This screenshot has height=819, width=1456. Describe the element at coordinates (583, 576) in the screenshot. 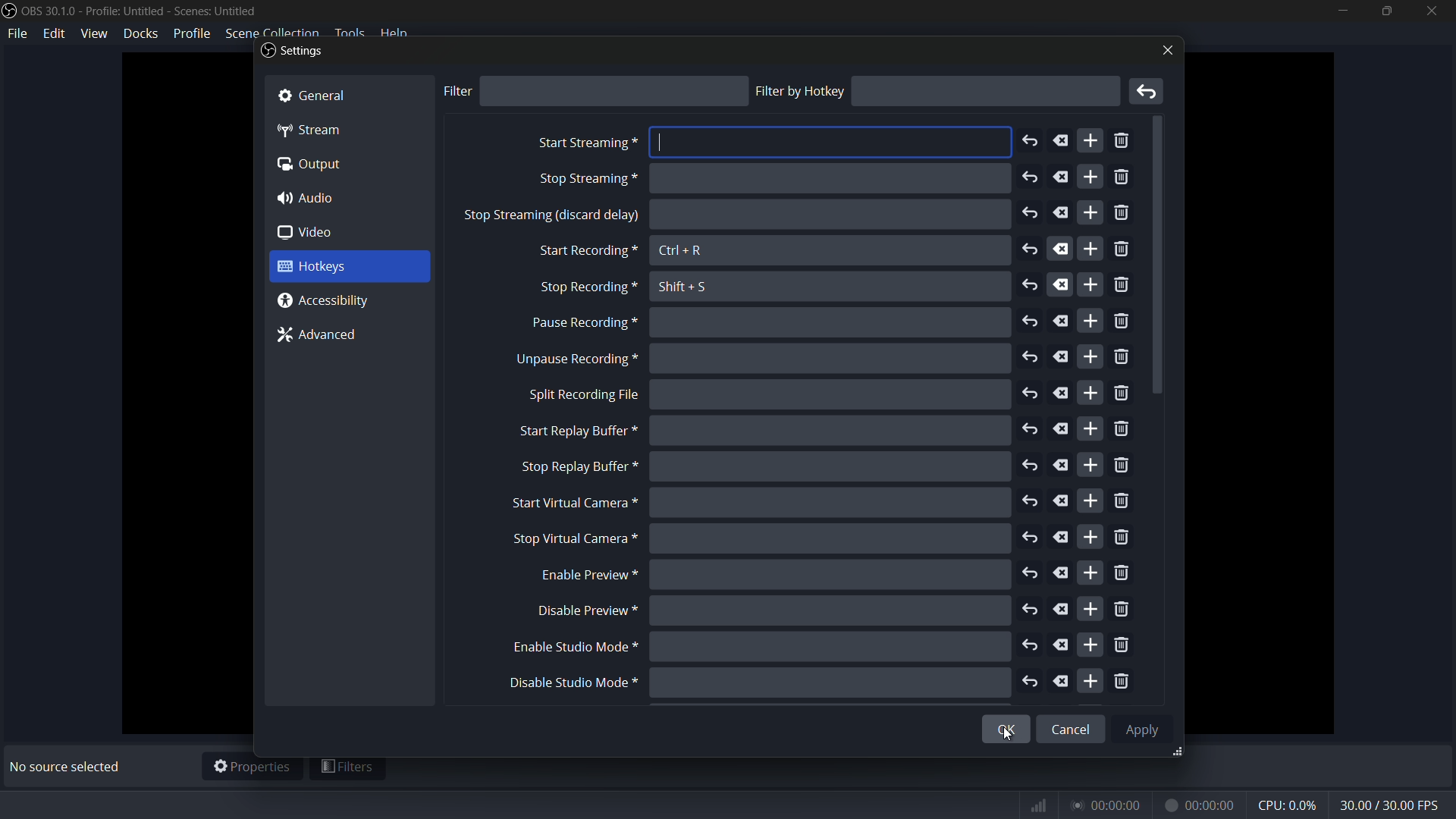

I see `enable preview` at that location.